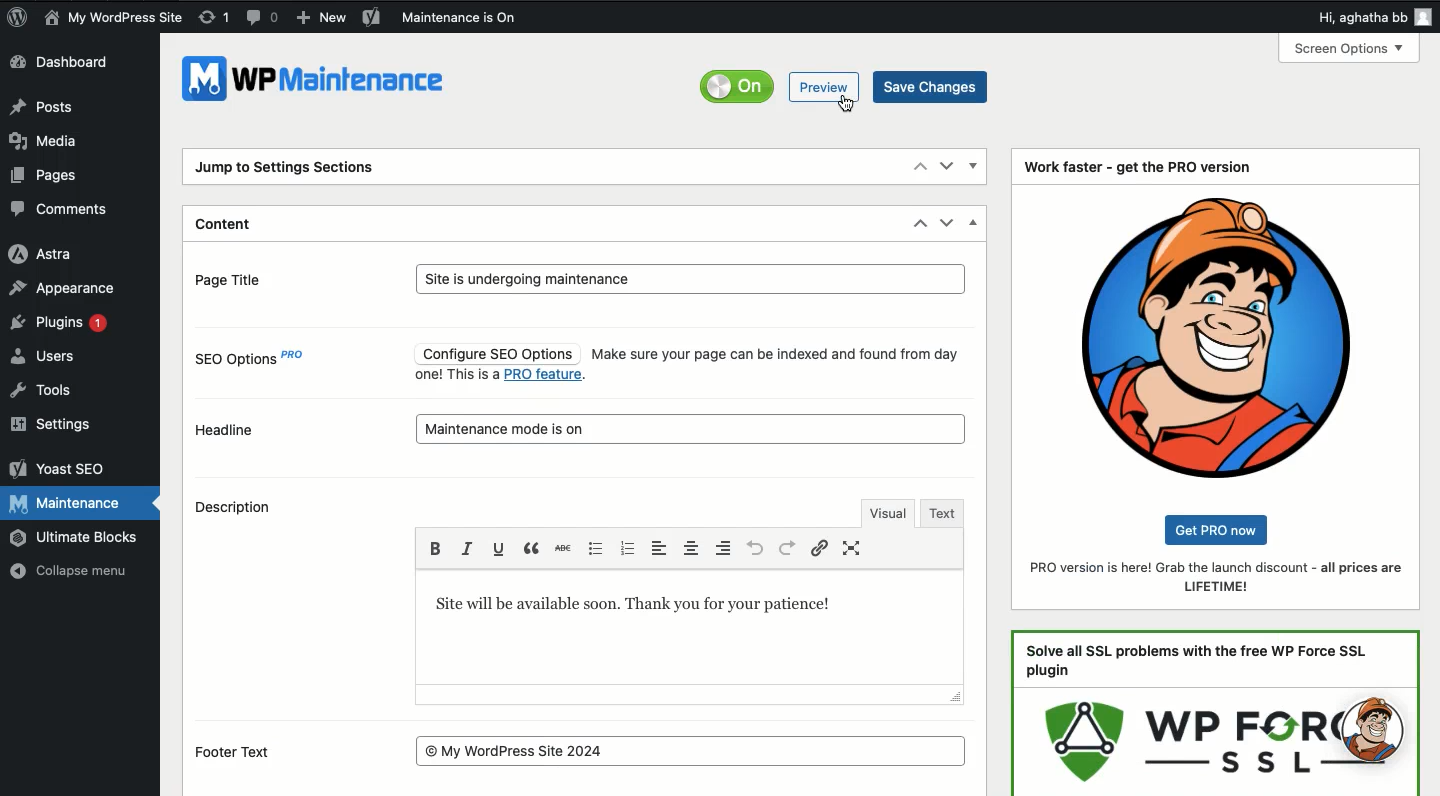 This screenshot has height=796, width=1440. What do you see at coordinates (63, 209) in the screenshot?
I see `Comments` at bounding box center [63, 209].